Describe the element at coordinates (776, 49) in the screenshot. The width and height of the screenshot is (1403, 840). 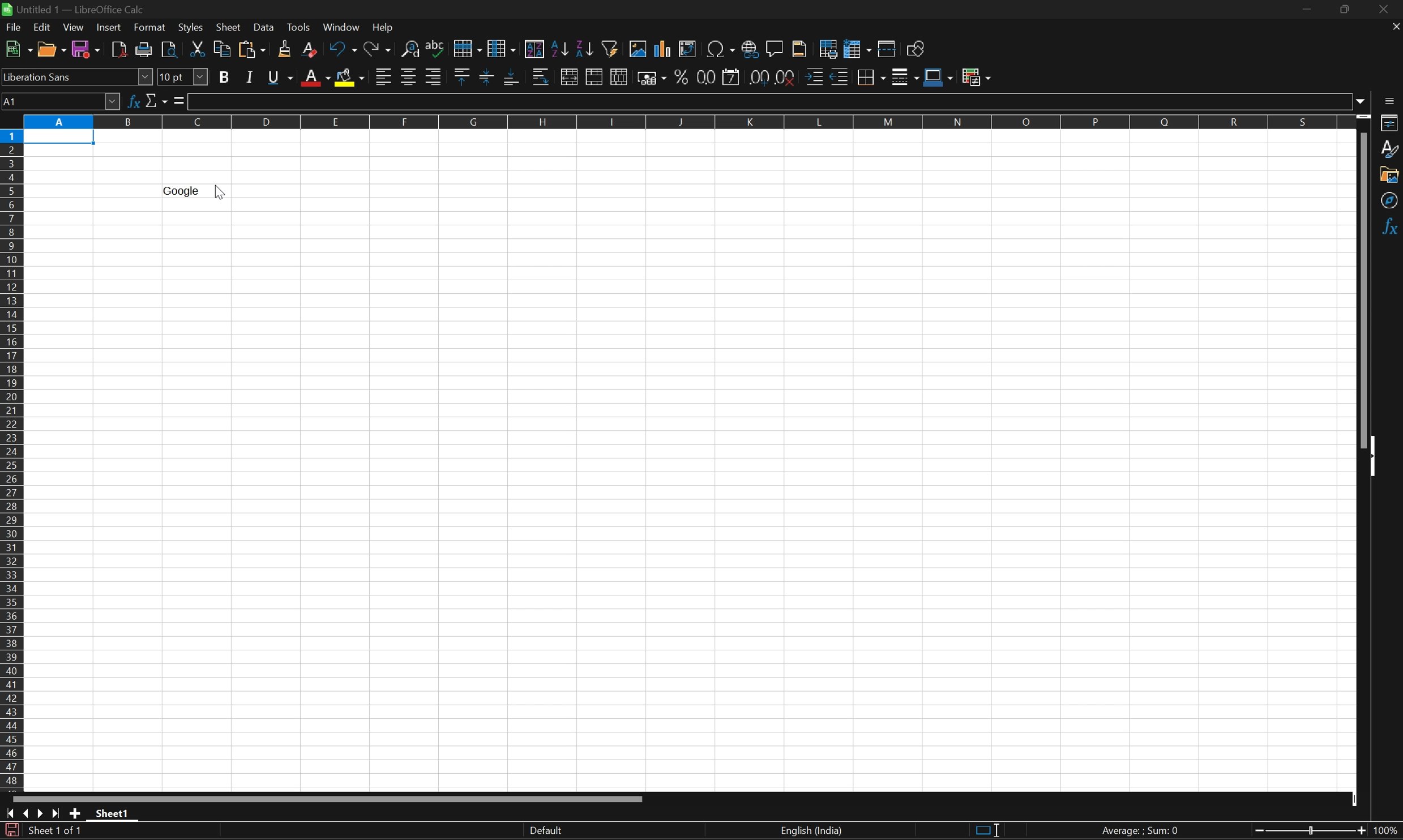
I see `Insert comment` at that location.